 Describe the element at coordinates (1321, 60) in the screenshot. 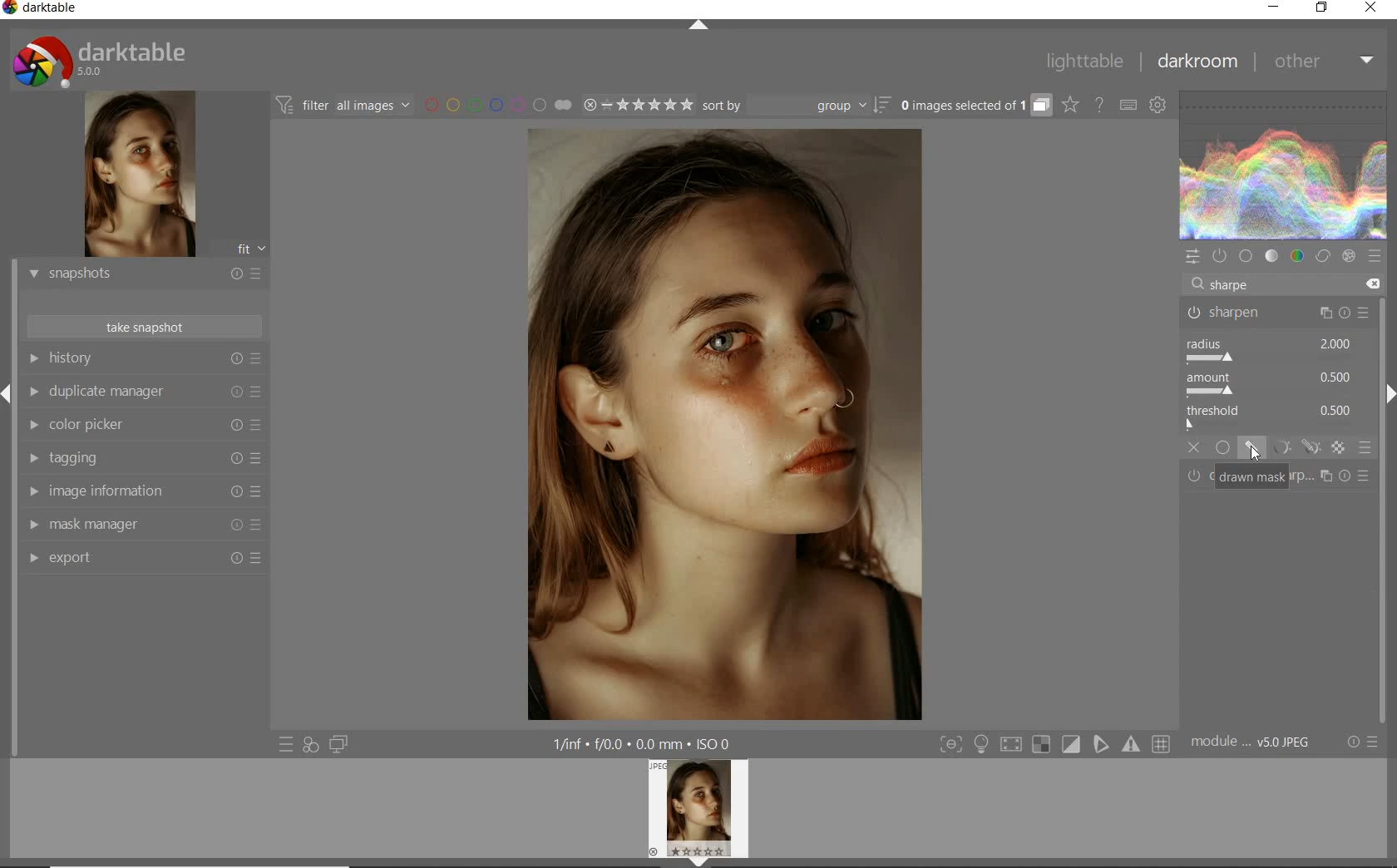

I see `other` at that location.